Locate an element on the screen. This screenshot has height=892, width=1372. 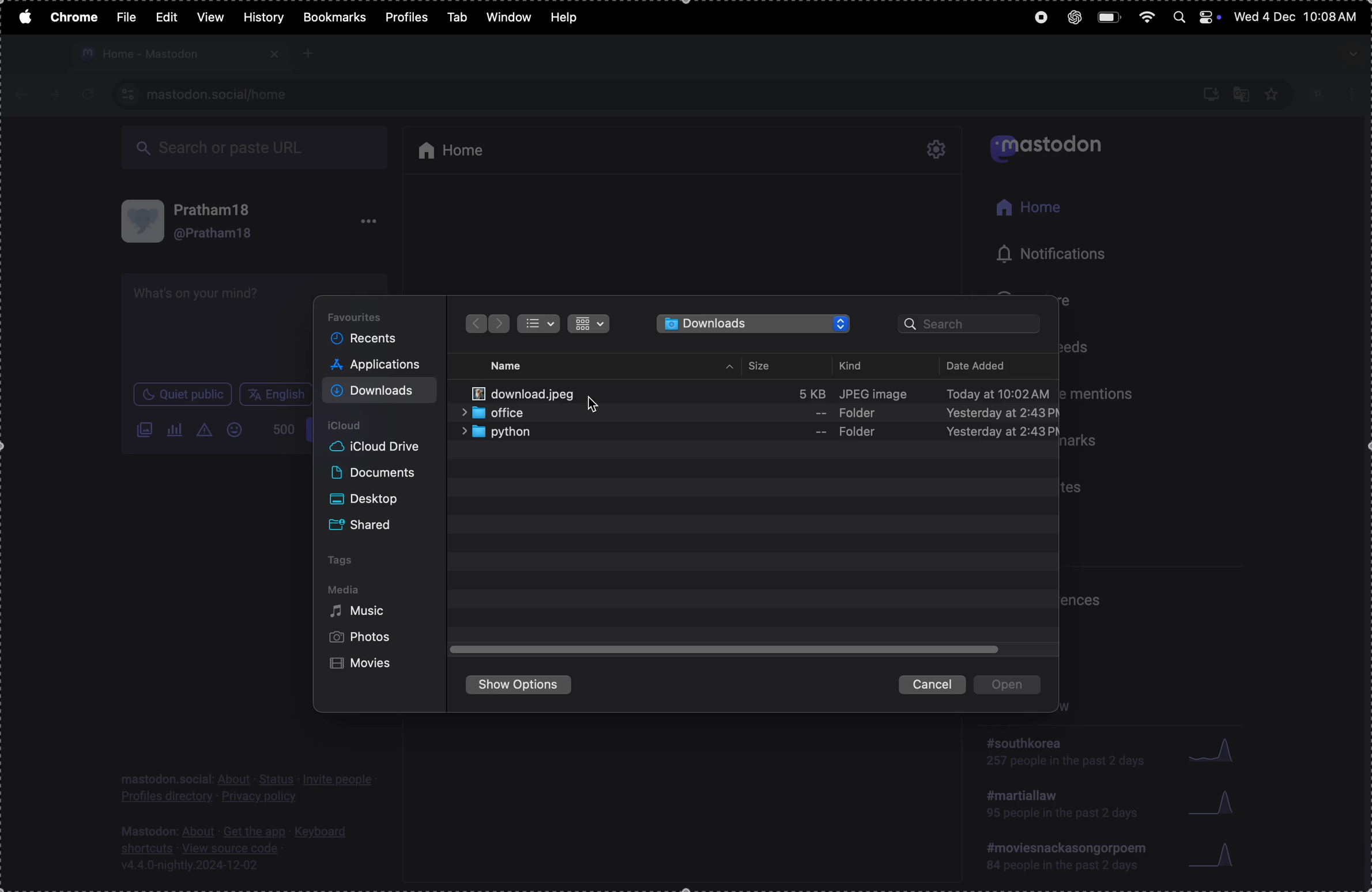
Home is located at coordinates (1028, 209).